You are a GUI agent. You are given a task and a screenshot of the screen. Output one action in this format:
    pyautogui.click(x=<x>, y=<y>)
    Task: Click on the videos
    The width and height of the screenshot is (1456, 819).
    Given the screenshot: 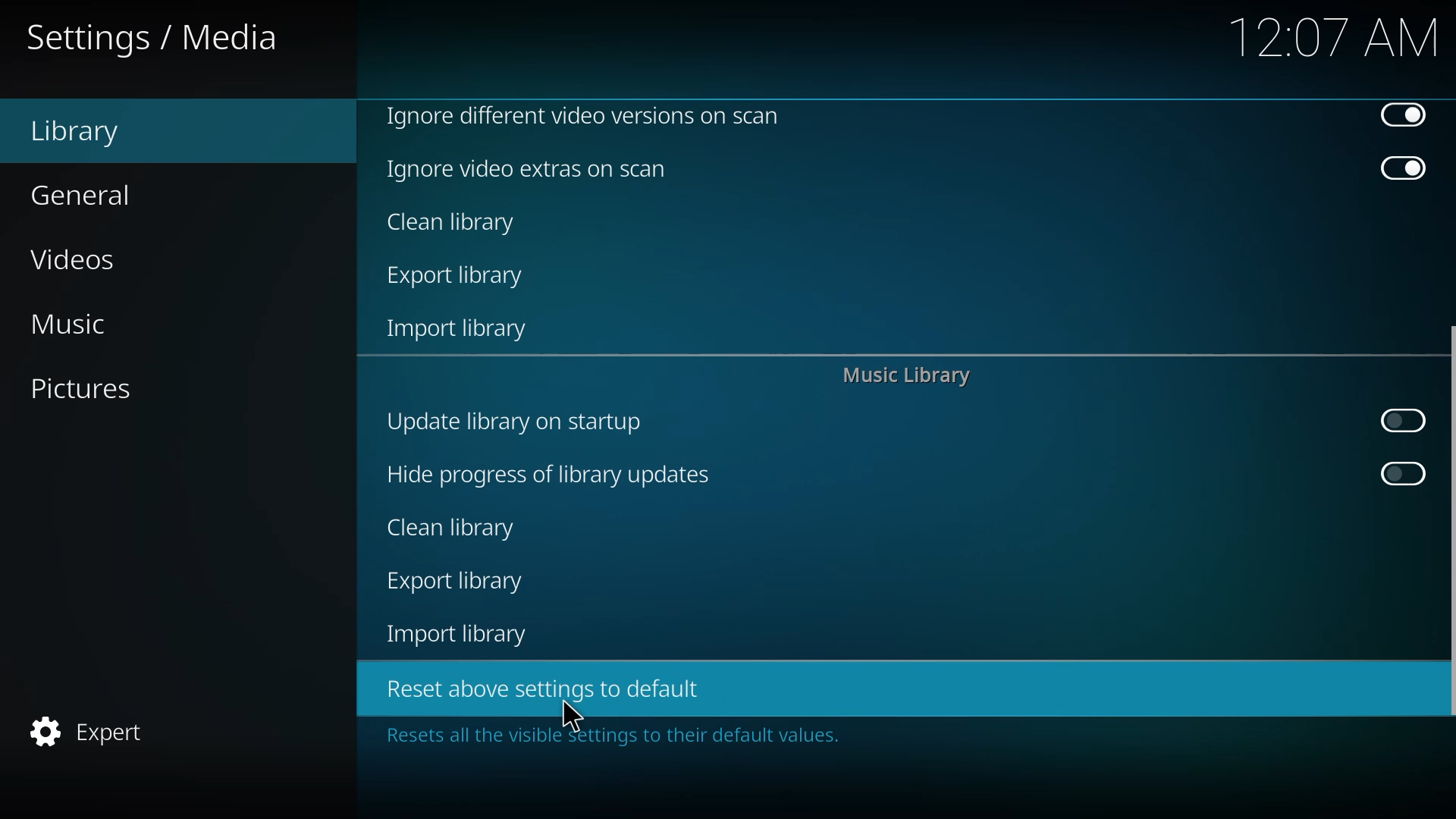 What is the action you would take?
    pyautogui.click(x=76, y=262)
    